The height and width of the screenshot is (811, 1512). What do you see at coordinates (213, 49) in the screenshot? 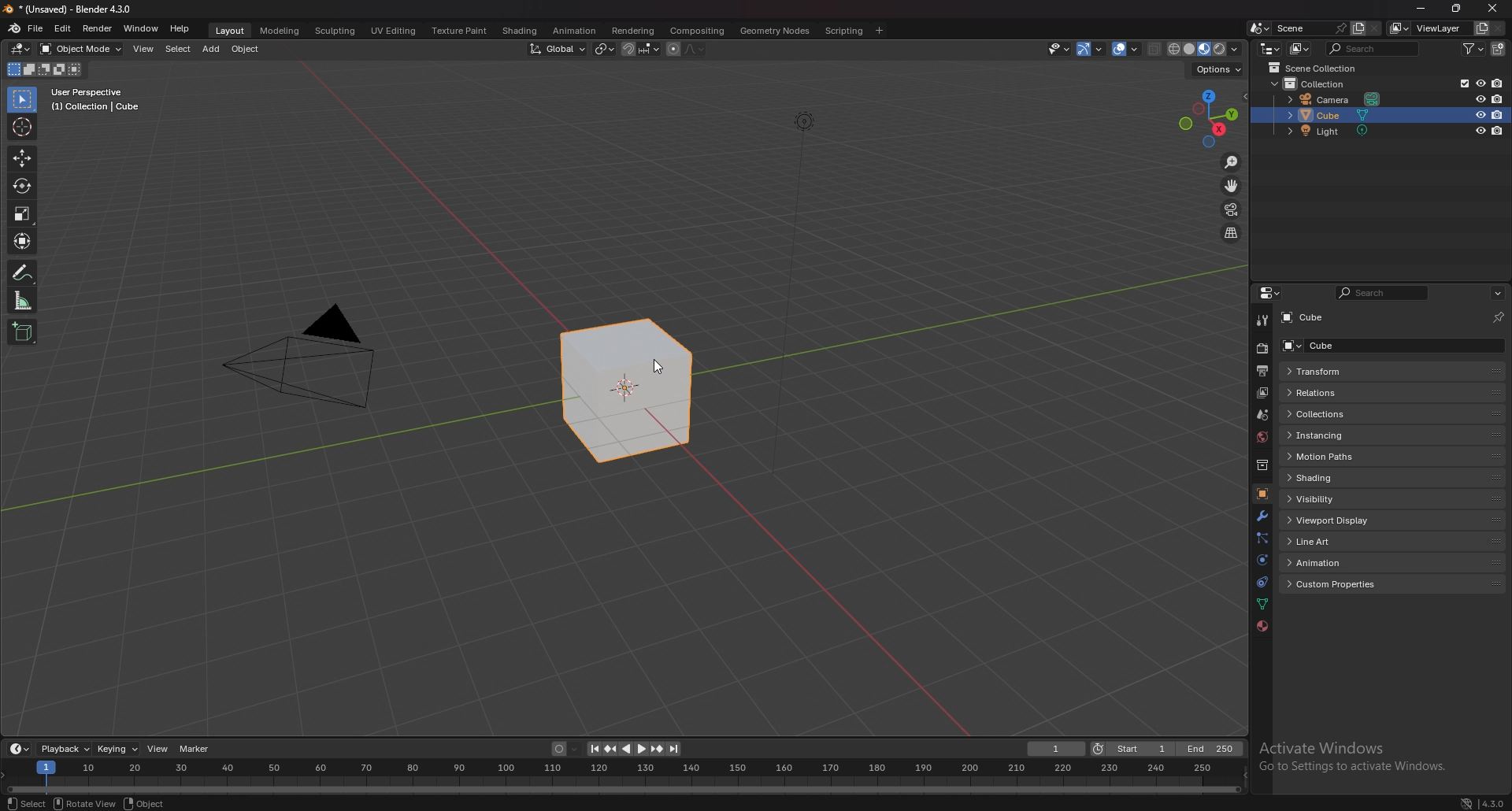
I see `add` at bounding box center [213, 49].